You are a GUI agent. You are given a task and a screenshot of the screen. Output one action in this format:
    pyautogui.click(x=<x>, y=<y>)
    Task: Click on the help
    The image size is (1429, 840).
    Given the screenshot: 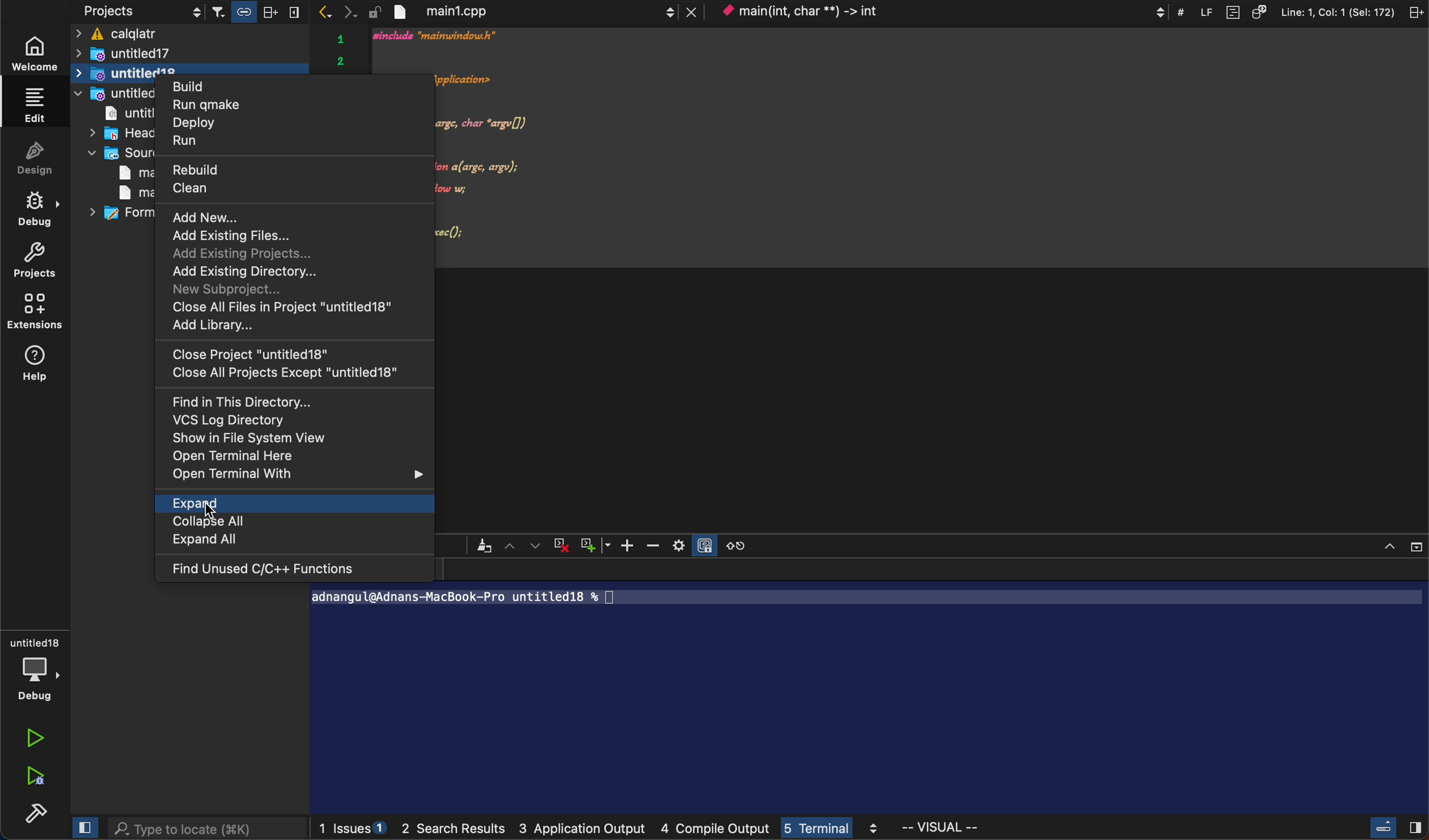 What is the action you would take?
    pyautogui.click(x=33, y=367)
    